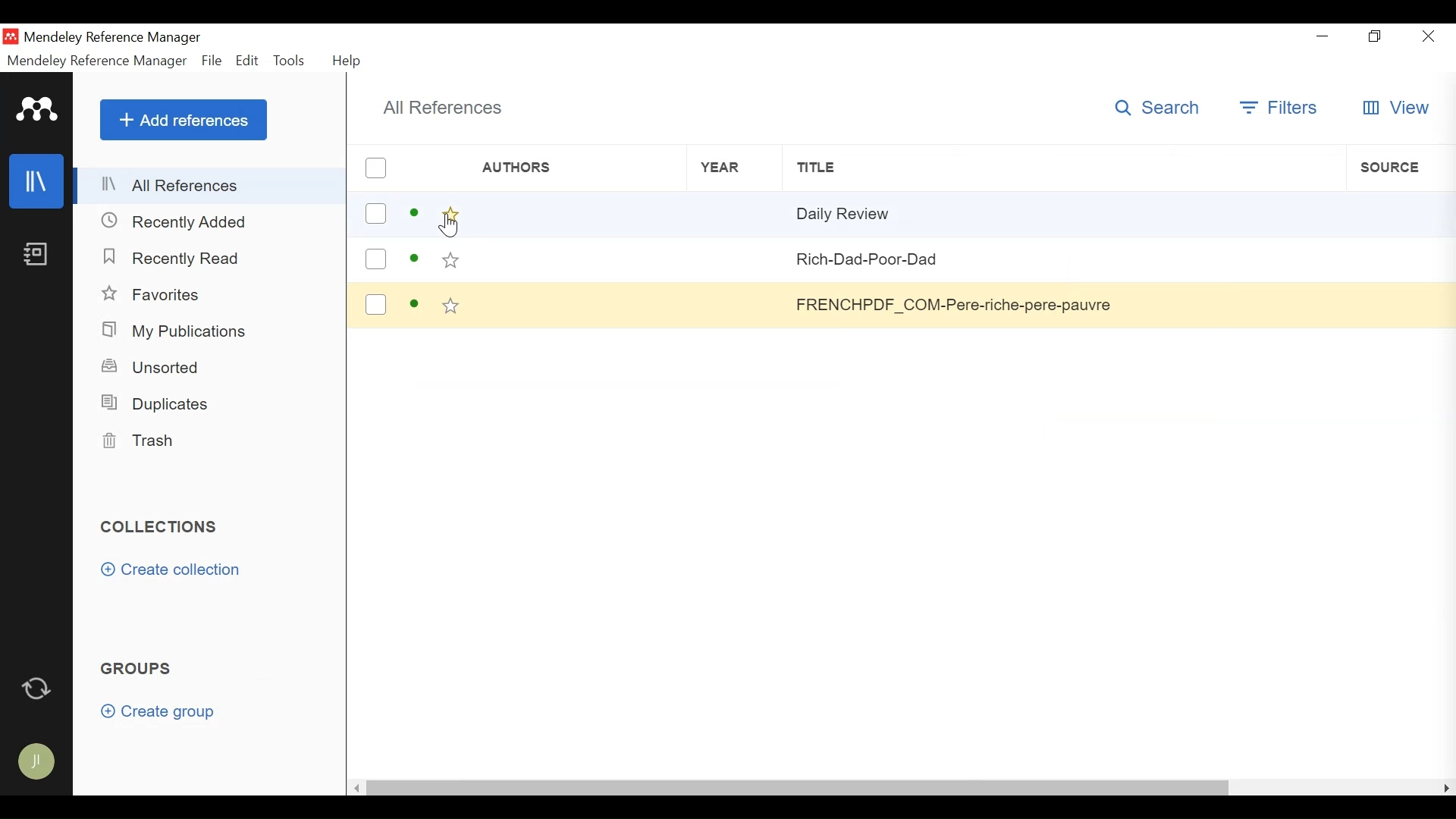 This screenshot has width=1456, height=819. What do you see at coordinates (1399, 168) in the screenshot?
I see `Source` at bounding box center [1399, 168].